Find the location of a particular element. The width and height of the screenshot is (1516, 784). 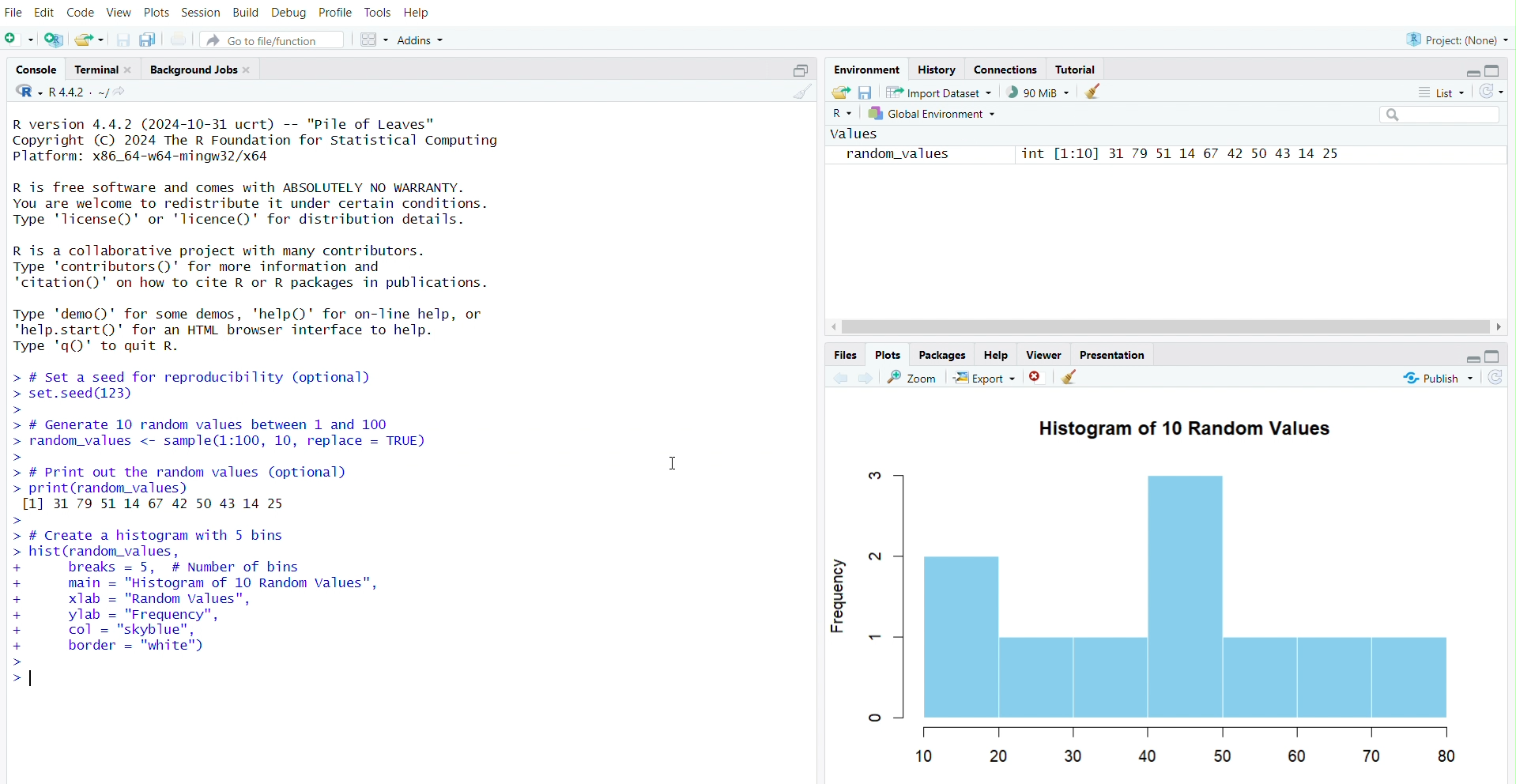

save current document is located at coordinates (122, 39).